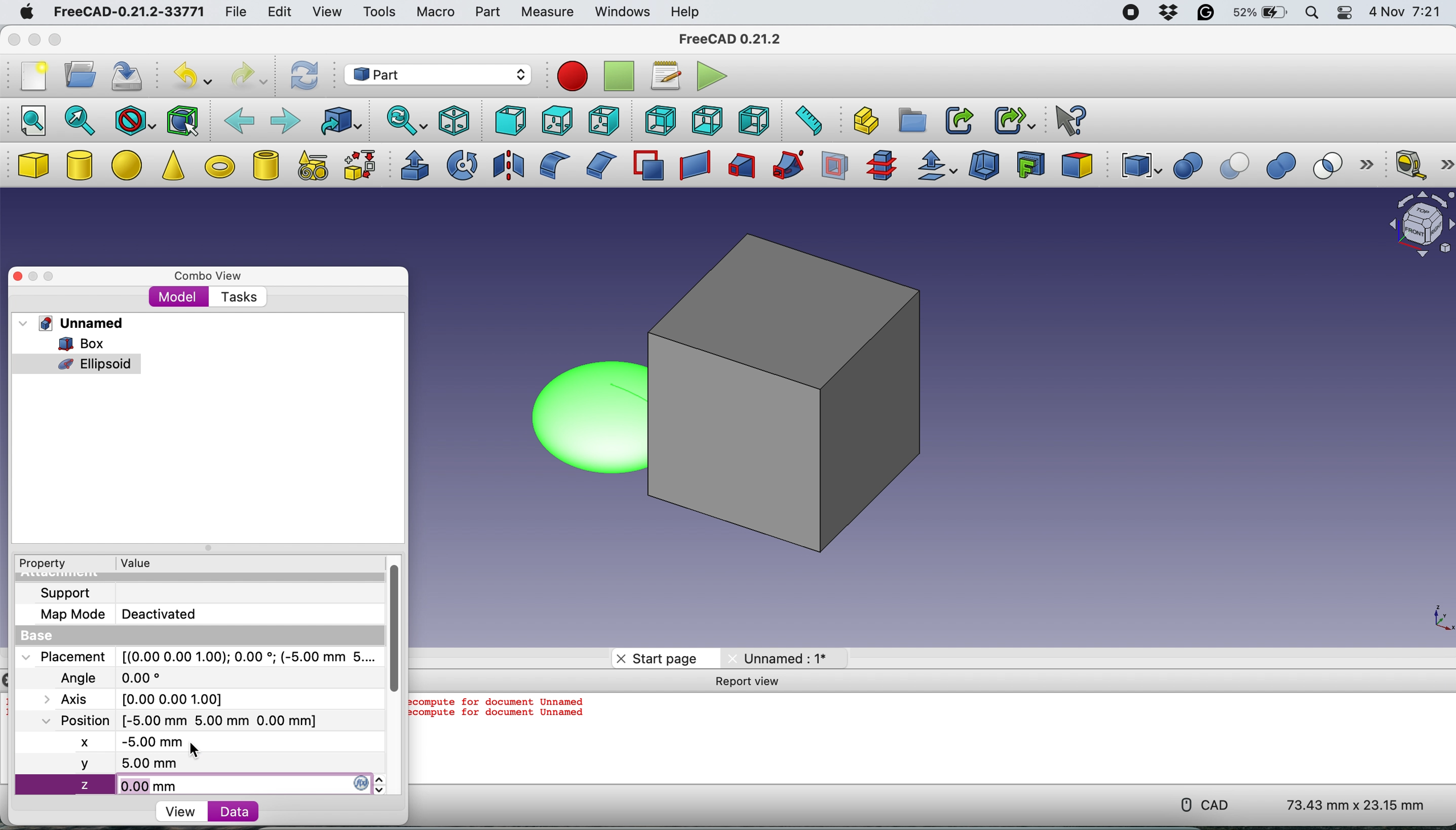  Describe the element at coordinates (710, 78) in the screenshot. I see `execute macros` at that location.